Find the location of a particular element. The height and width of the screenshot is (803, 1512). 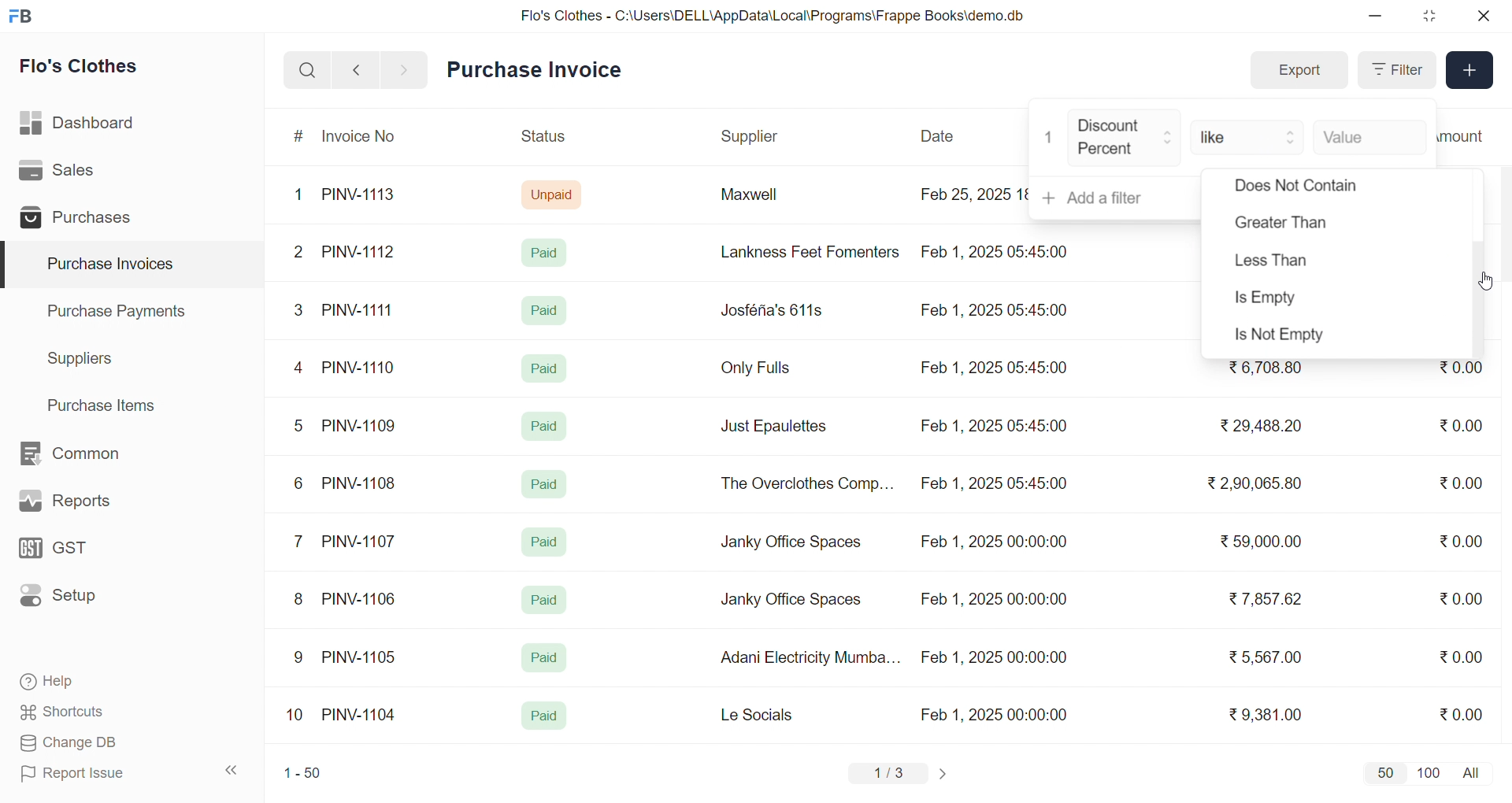

Feb 1, 2025 00:00:00 is located at coordinates (994, 657).